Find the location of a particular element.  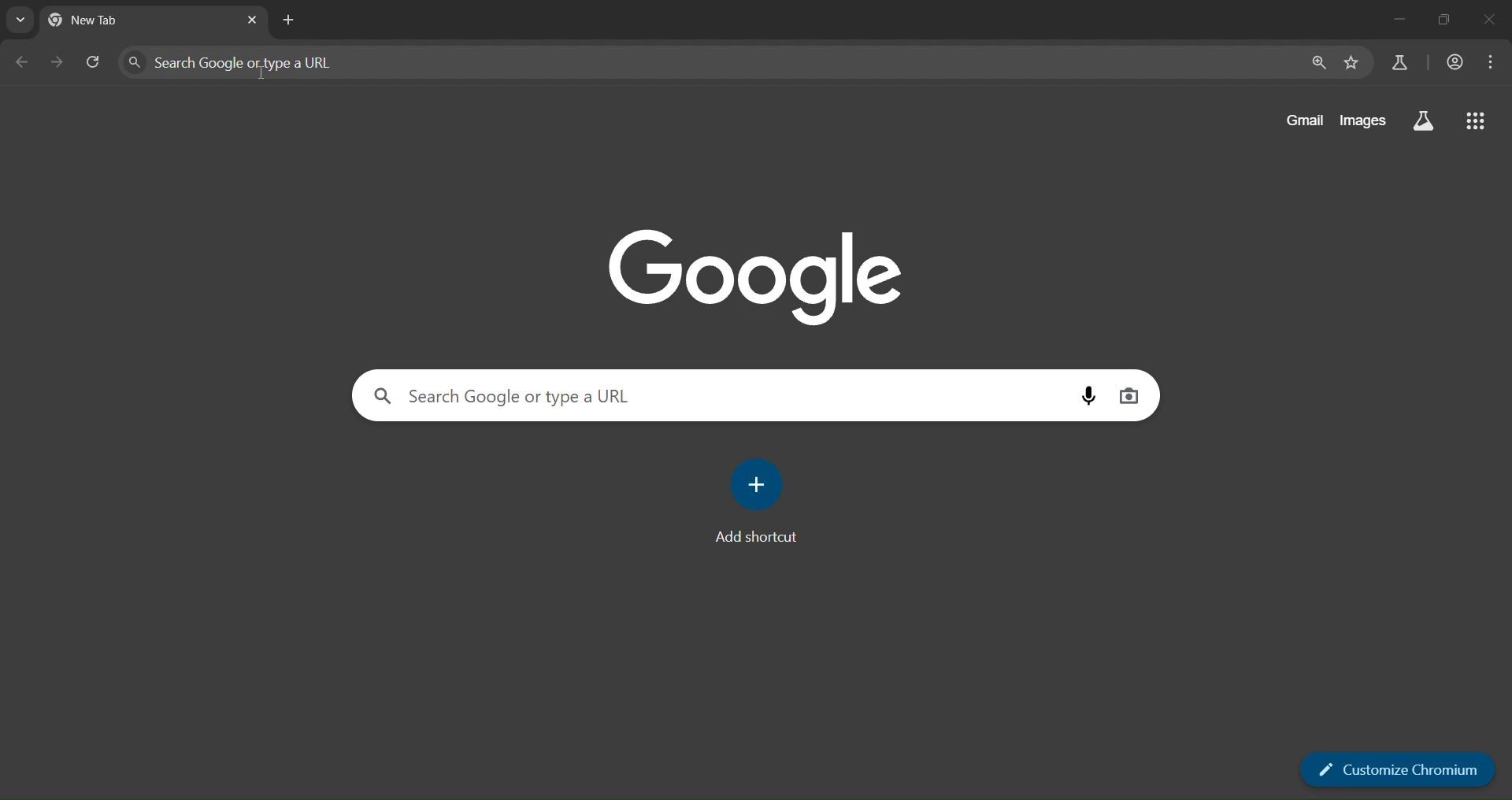

search panel is located at coordinates (706, 395).